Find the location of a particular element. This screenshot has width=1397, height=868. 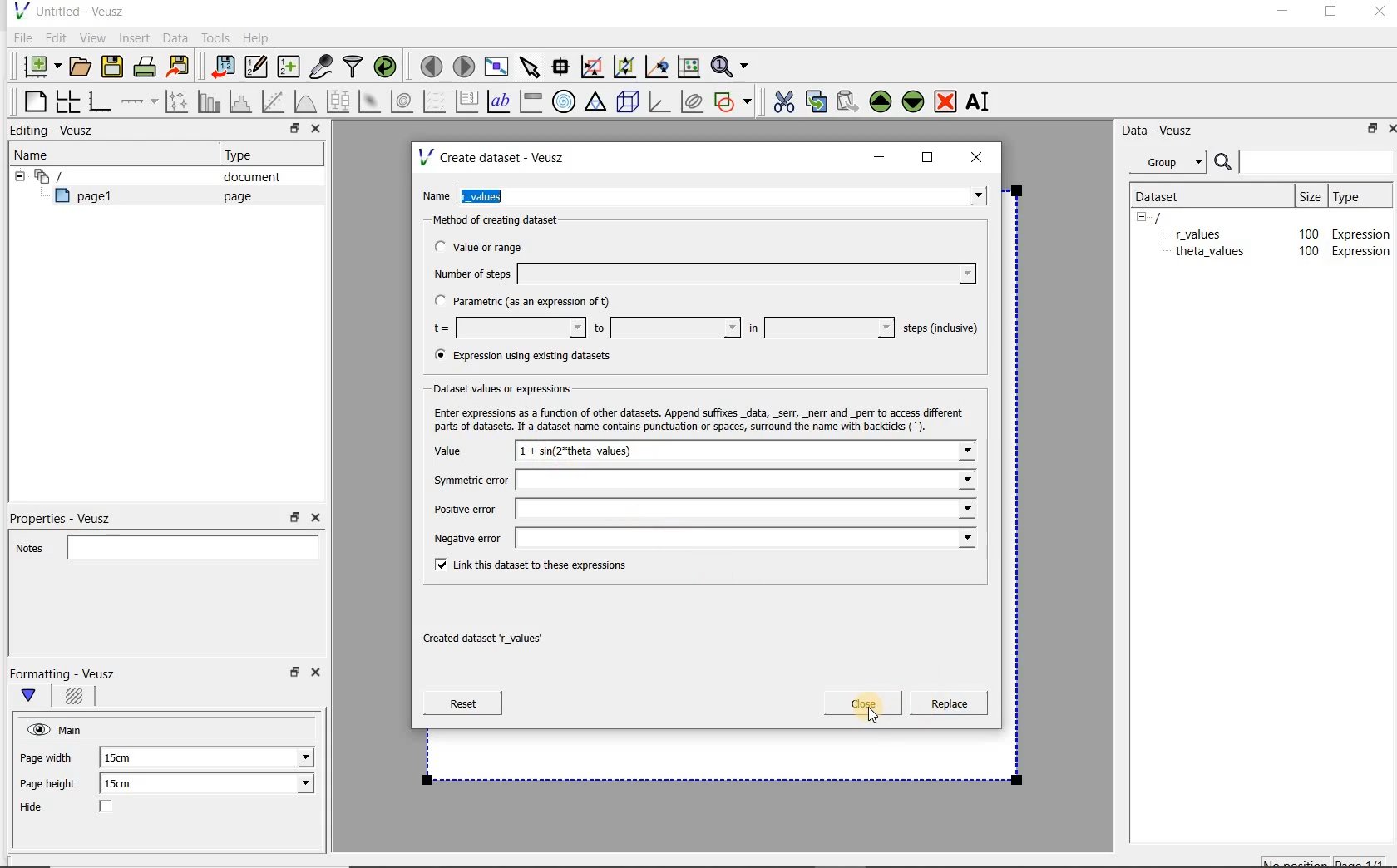

plot a 2d dataset as contours is located at coordinates (403, 101).